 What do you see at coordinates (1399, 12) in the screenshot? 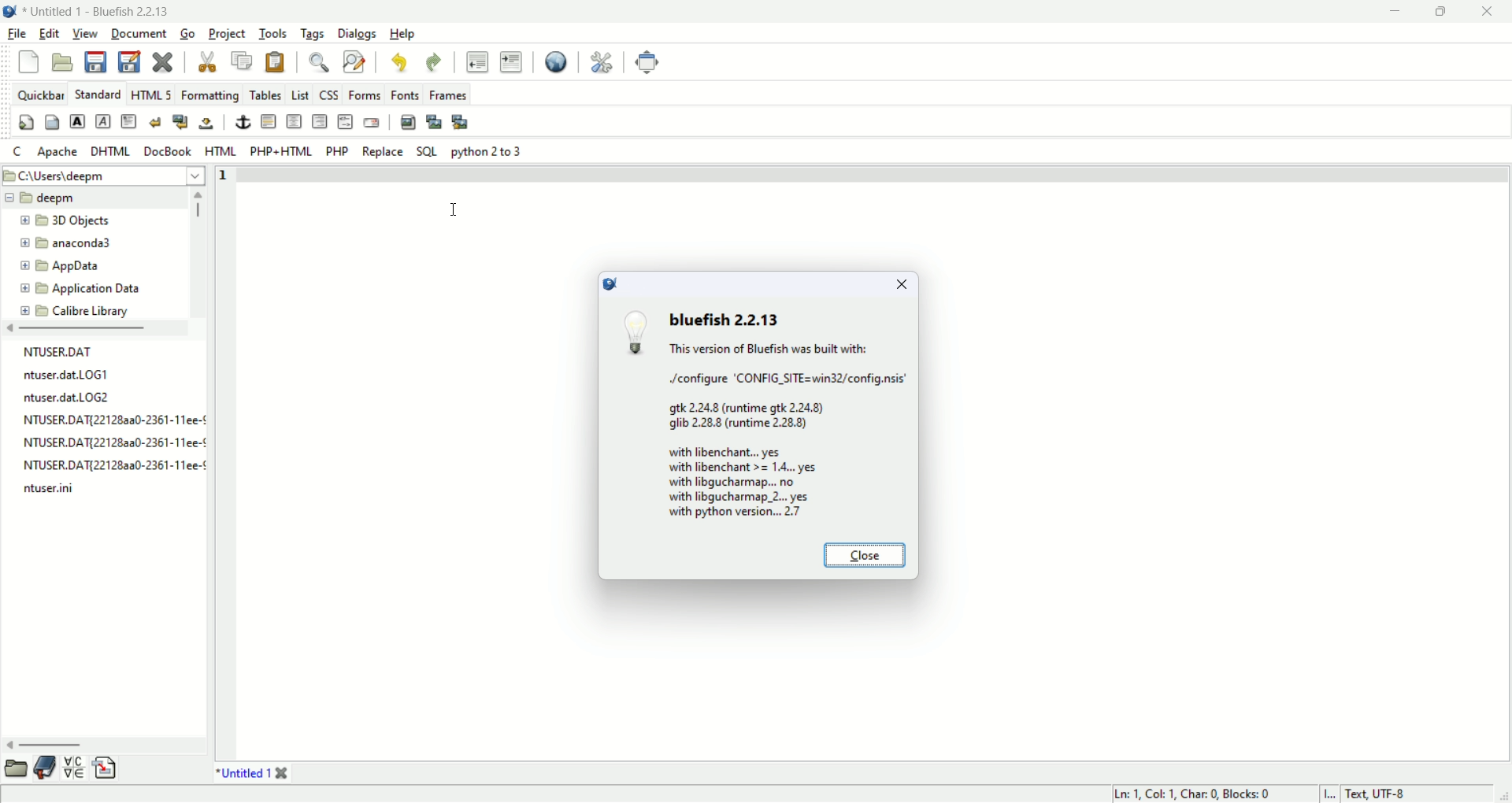
I see `minimize` at bounding box center [1399, 12].